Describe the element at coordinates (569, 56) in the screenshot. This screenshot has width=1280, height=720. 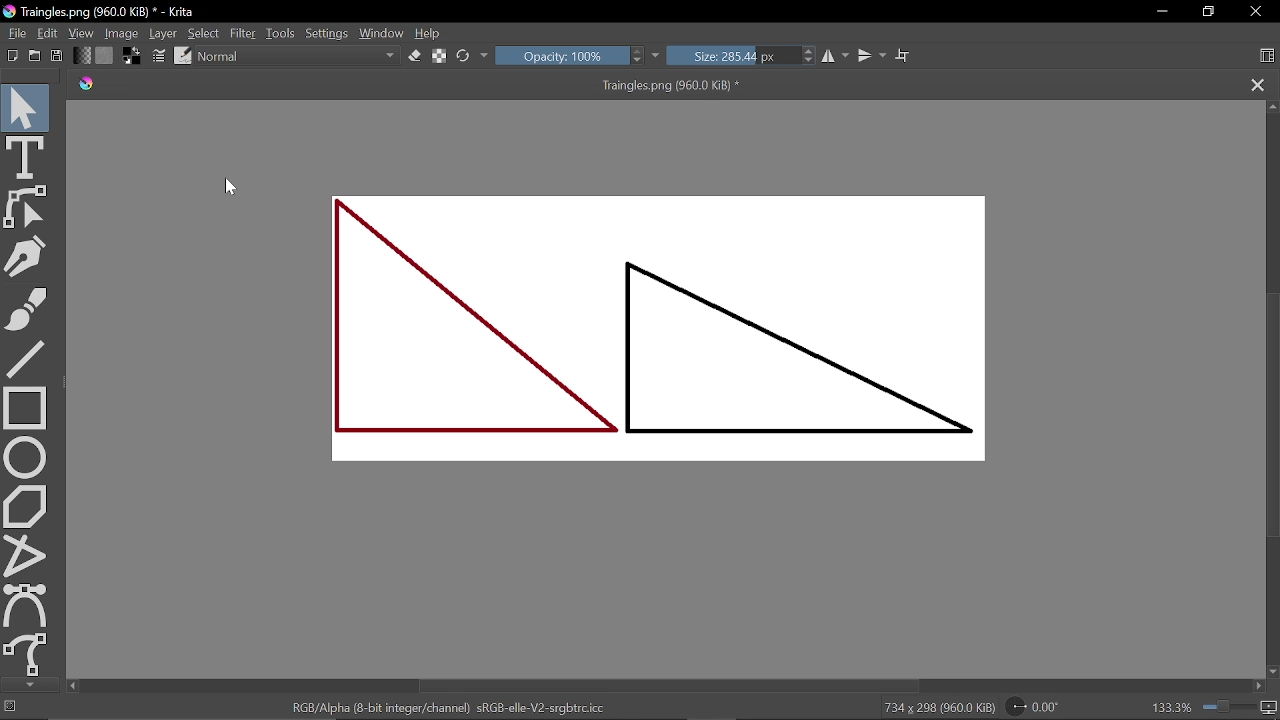
I see `Opacity: 100%` at that location.